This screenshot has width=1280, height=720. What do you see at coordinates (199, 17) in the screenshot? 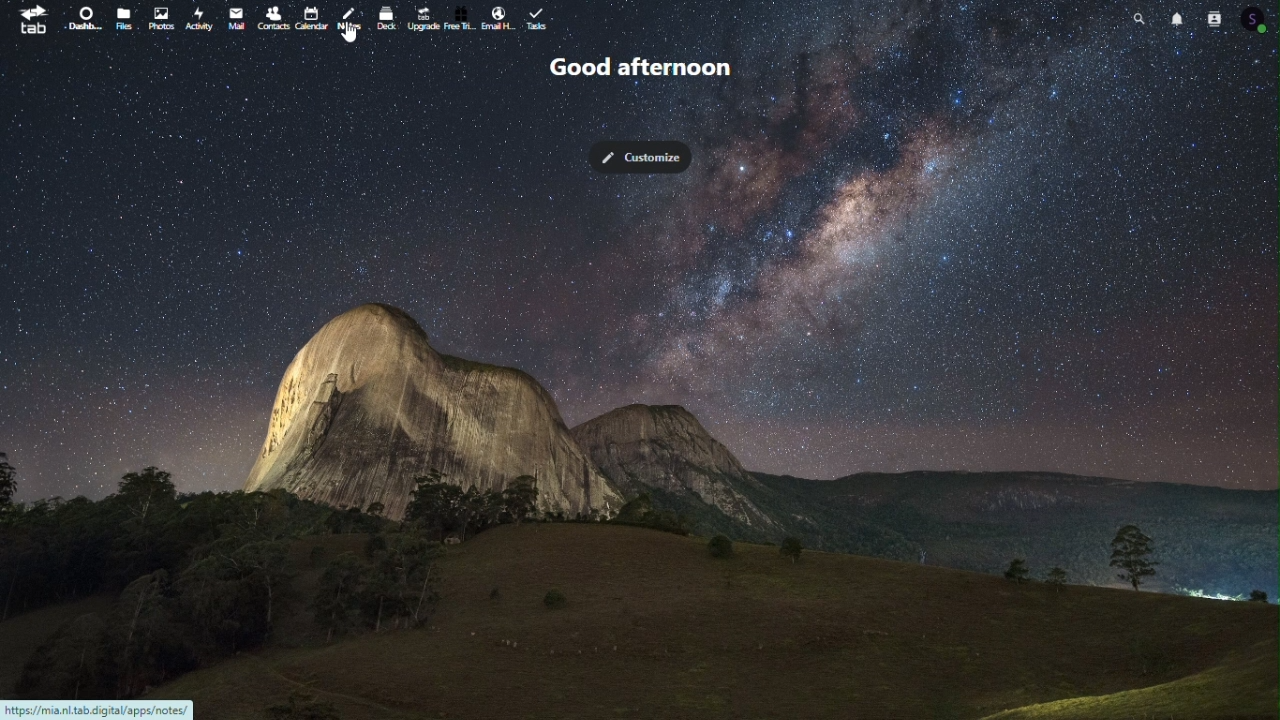
I see `Activity` at bounding box center [199, 17].